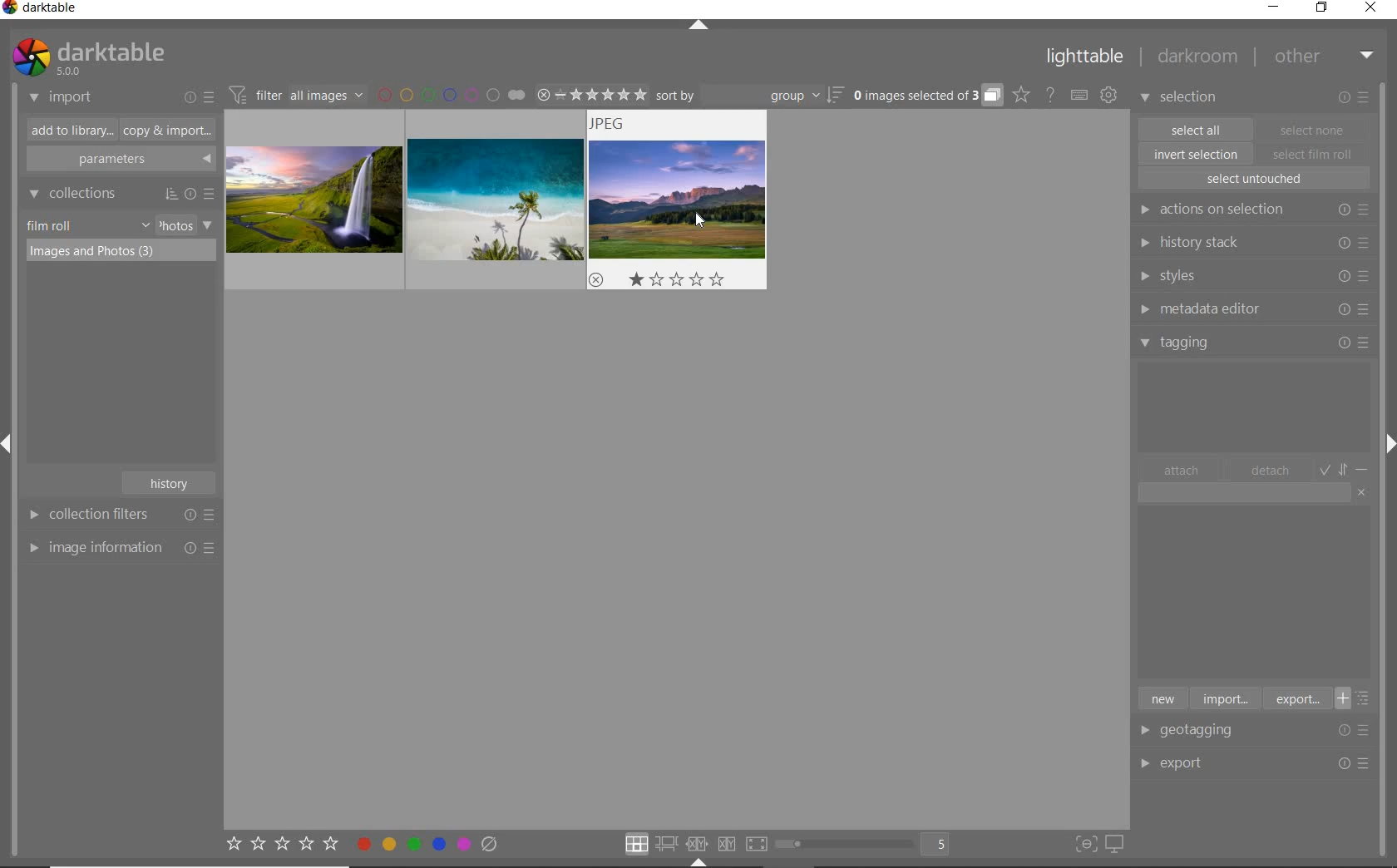 Image resolution: width=1397 pixels, height=868 pixels. What do you see at coordinates (1224, 698) in the screenshot?
I see `import` at bounding box center [1224, 698].